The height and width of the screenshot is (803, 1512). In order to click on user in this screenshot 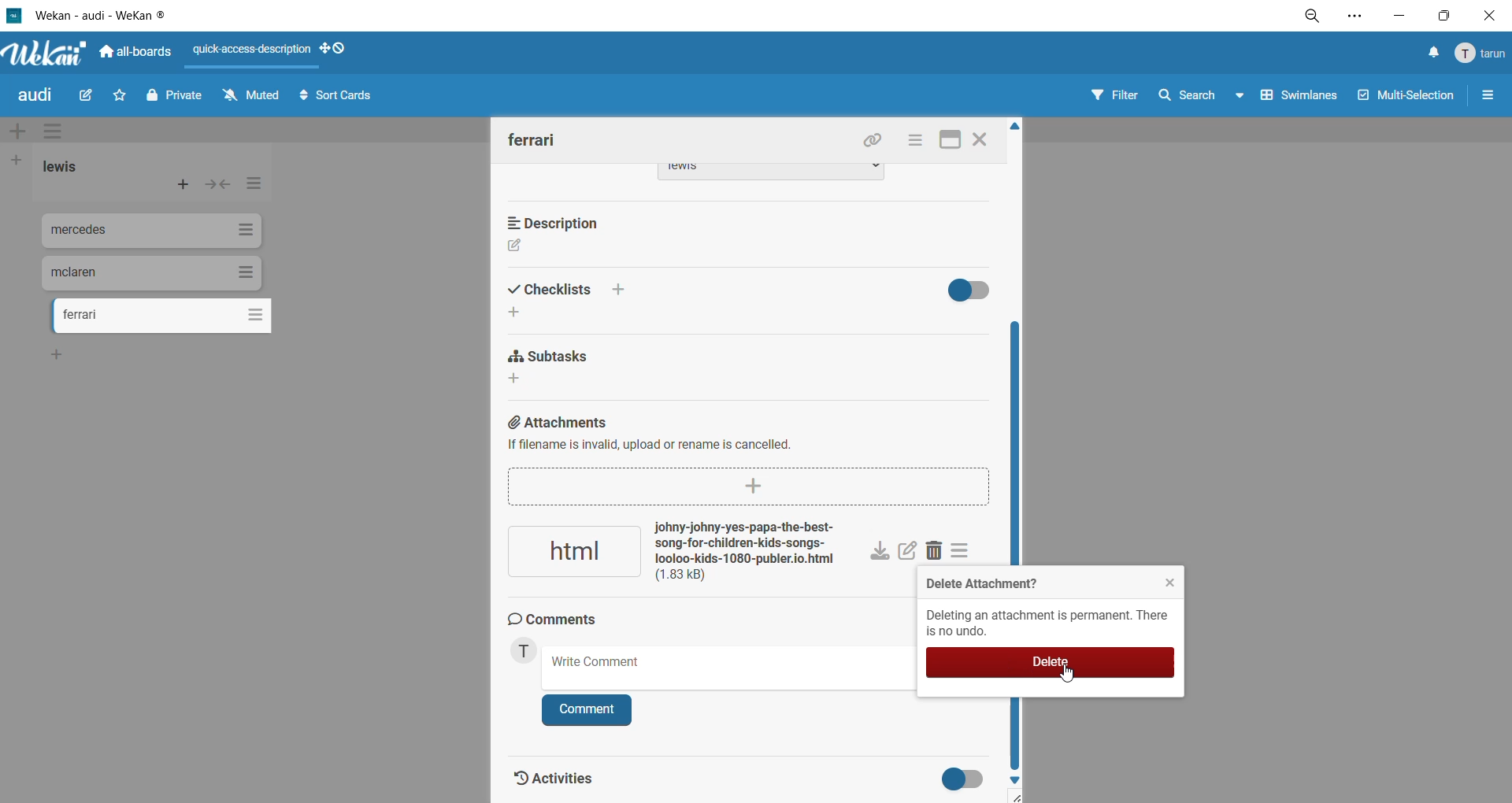, I will do `click(524, 654)`.